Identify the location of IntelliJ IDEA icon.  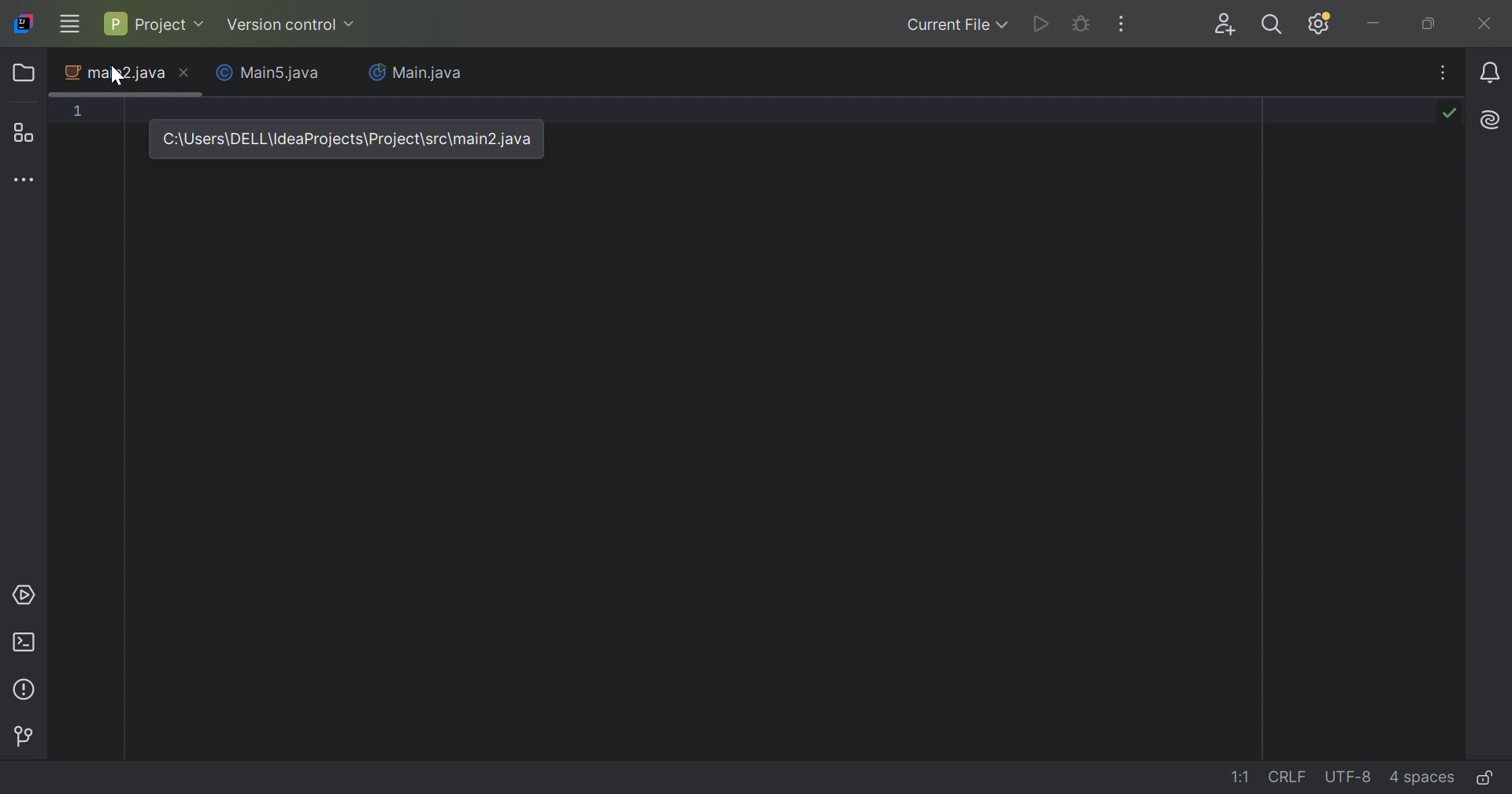
(24, 24).